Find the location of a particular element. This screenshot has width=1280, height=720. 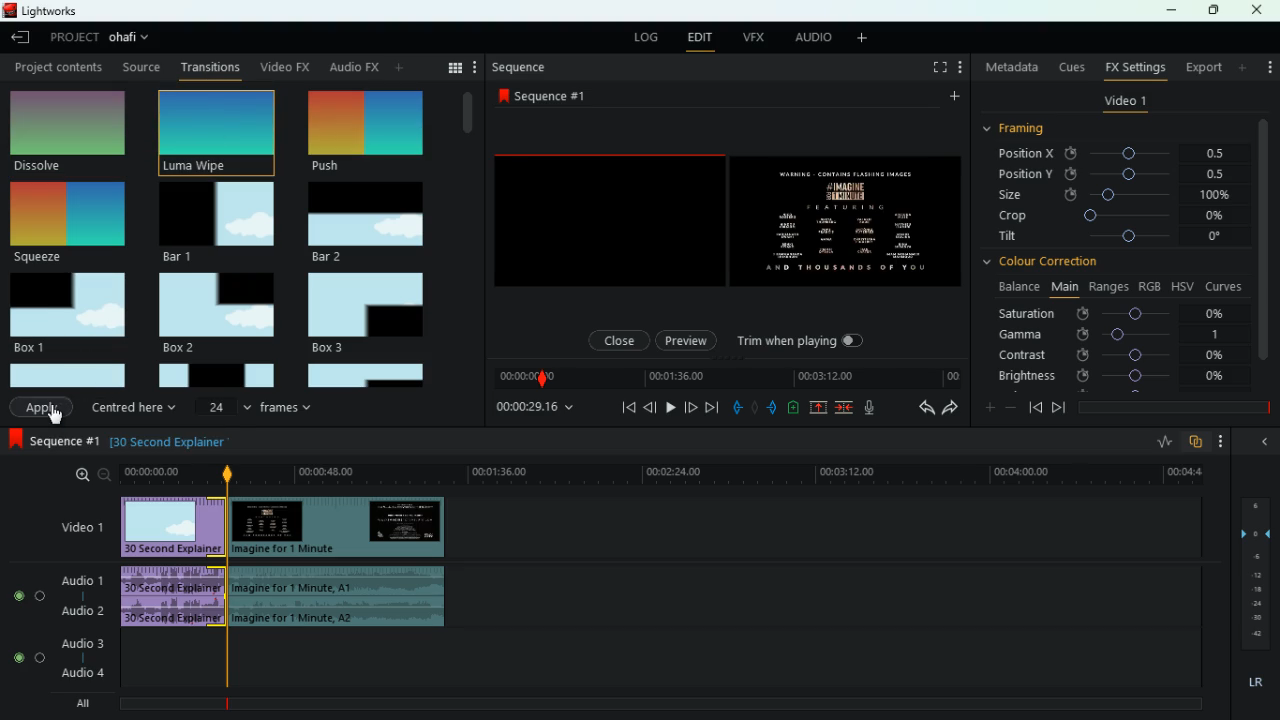

edit is located at coordinates (699, 39).